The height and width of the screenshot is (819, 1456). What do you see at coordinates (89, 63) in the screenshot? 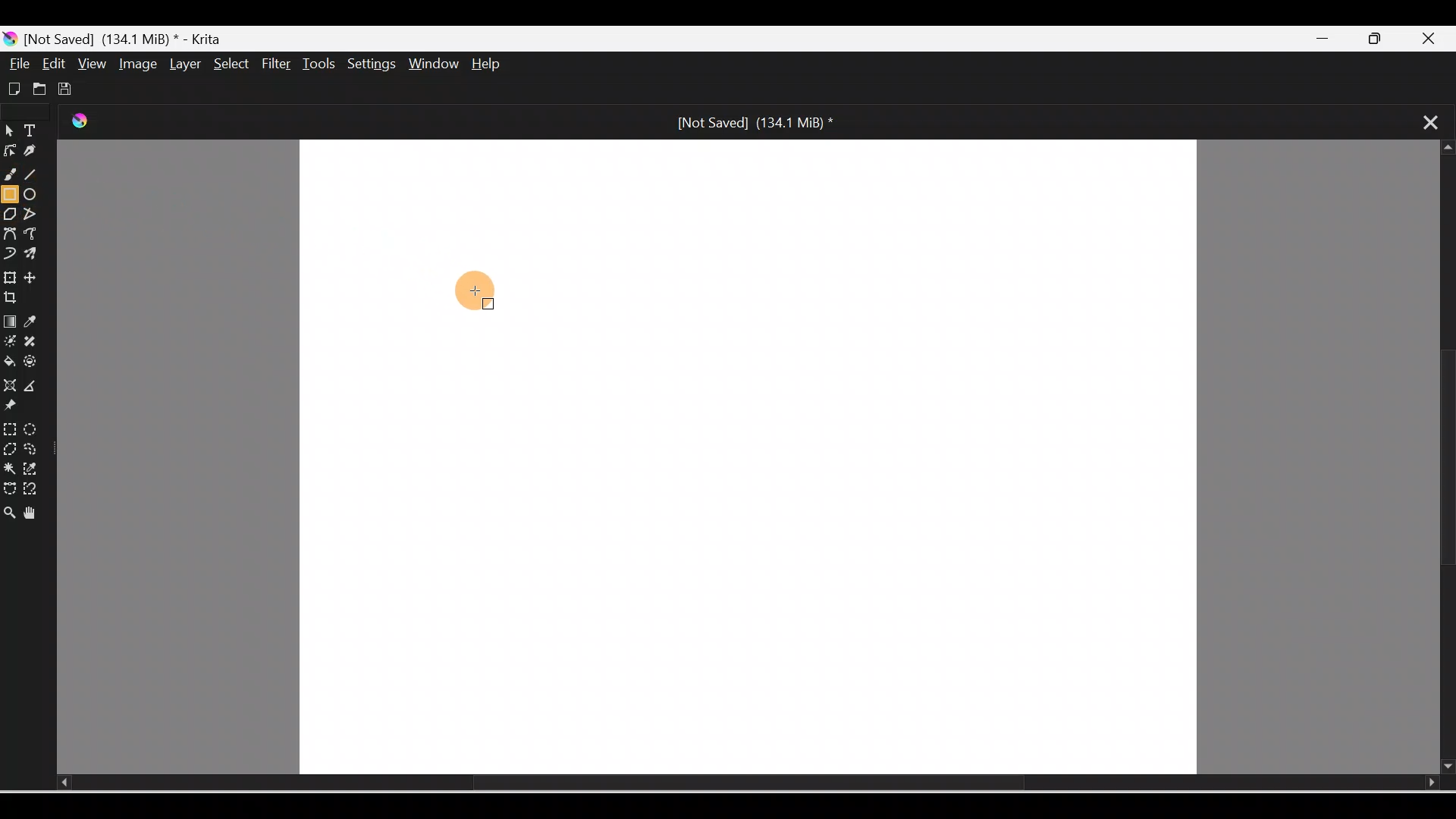
I see `View` at bounding box center [89, 63].